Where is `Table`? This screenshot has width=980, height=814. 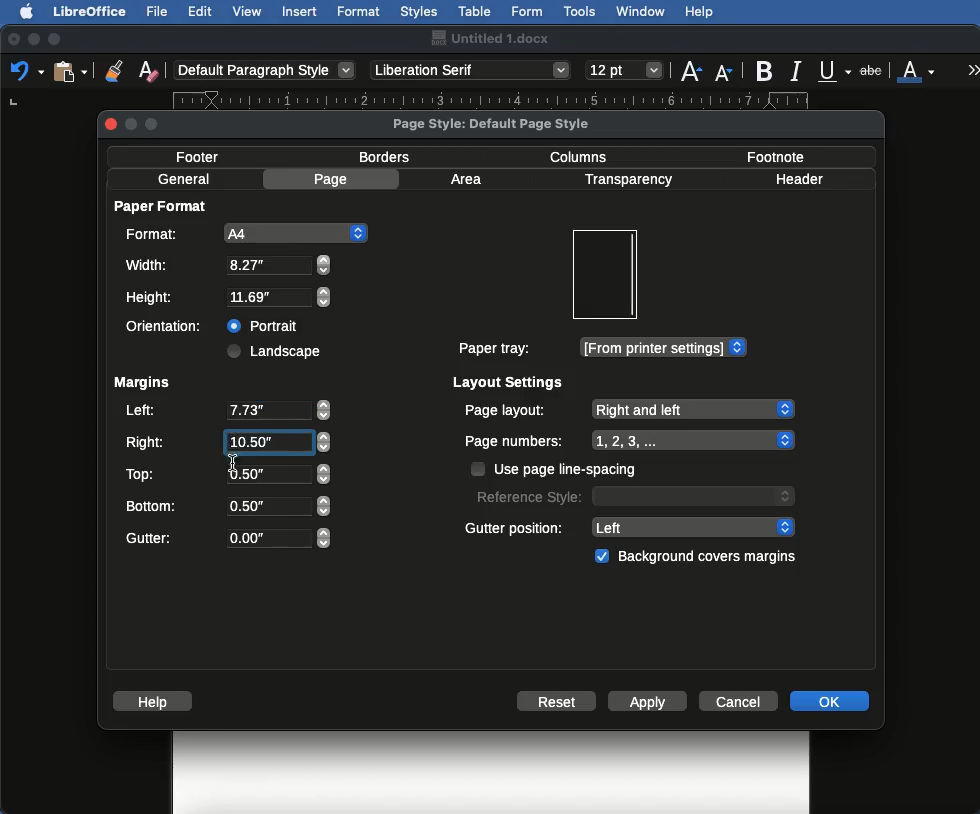 Table is located at coordinates (475, 9).